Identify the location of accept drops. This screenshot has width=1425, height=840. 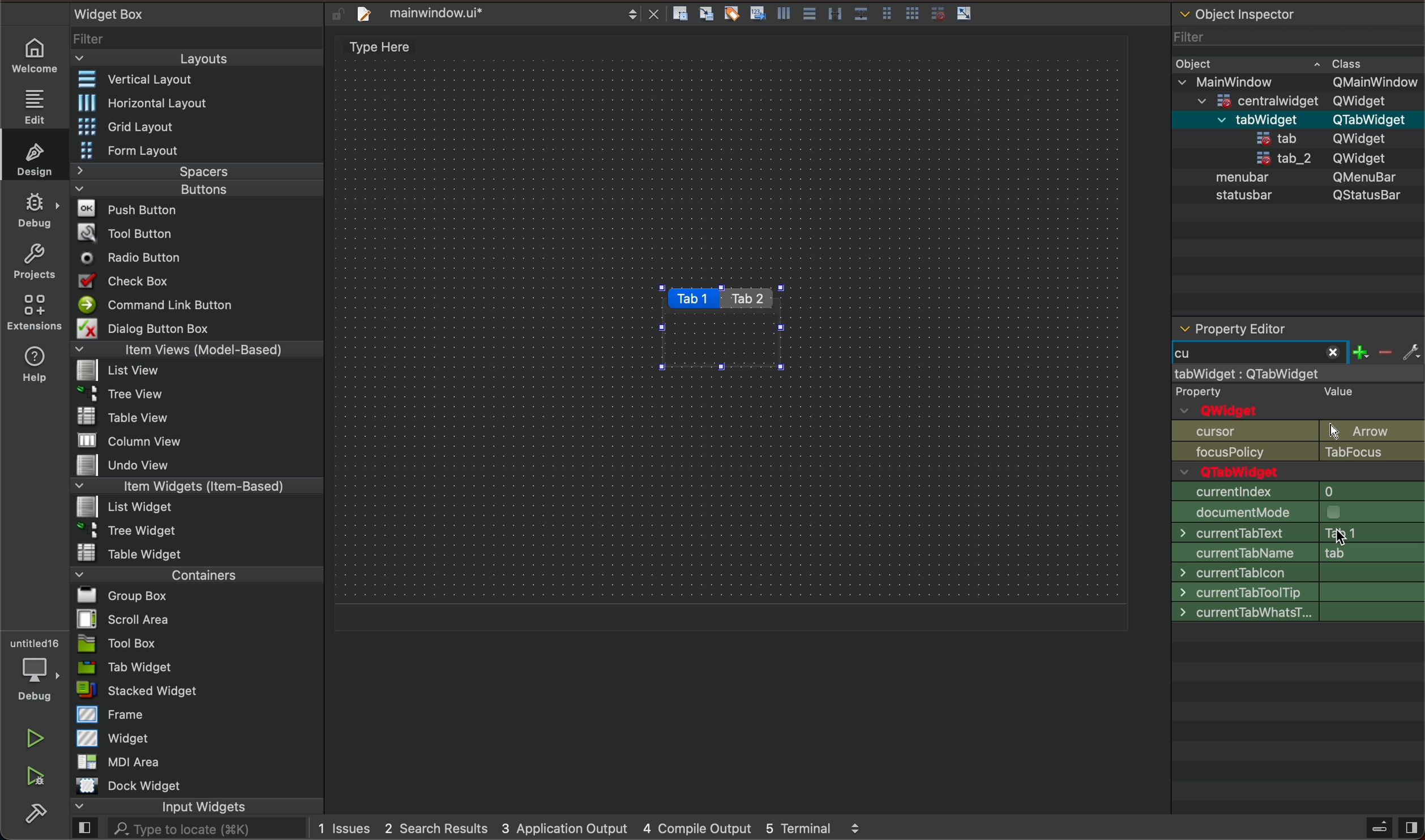
(1299, 756).